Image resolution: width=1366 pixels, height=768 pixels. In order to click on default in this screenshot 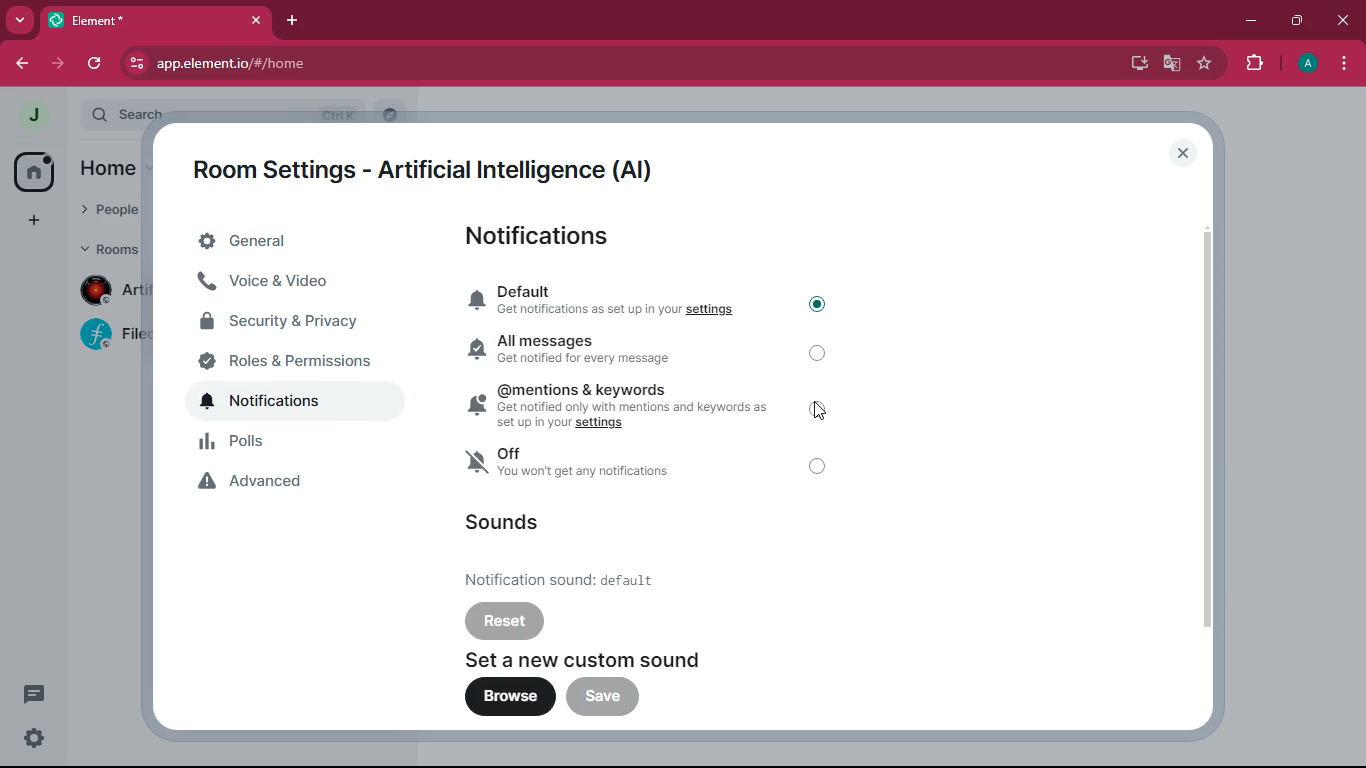, I will do `click(611, 302)`.